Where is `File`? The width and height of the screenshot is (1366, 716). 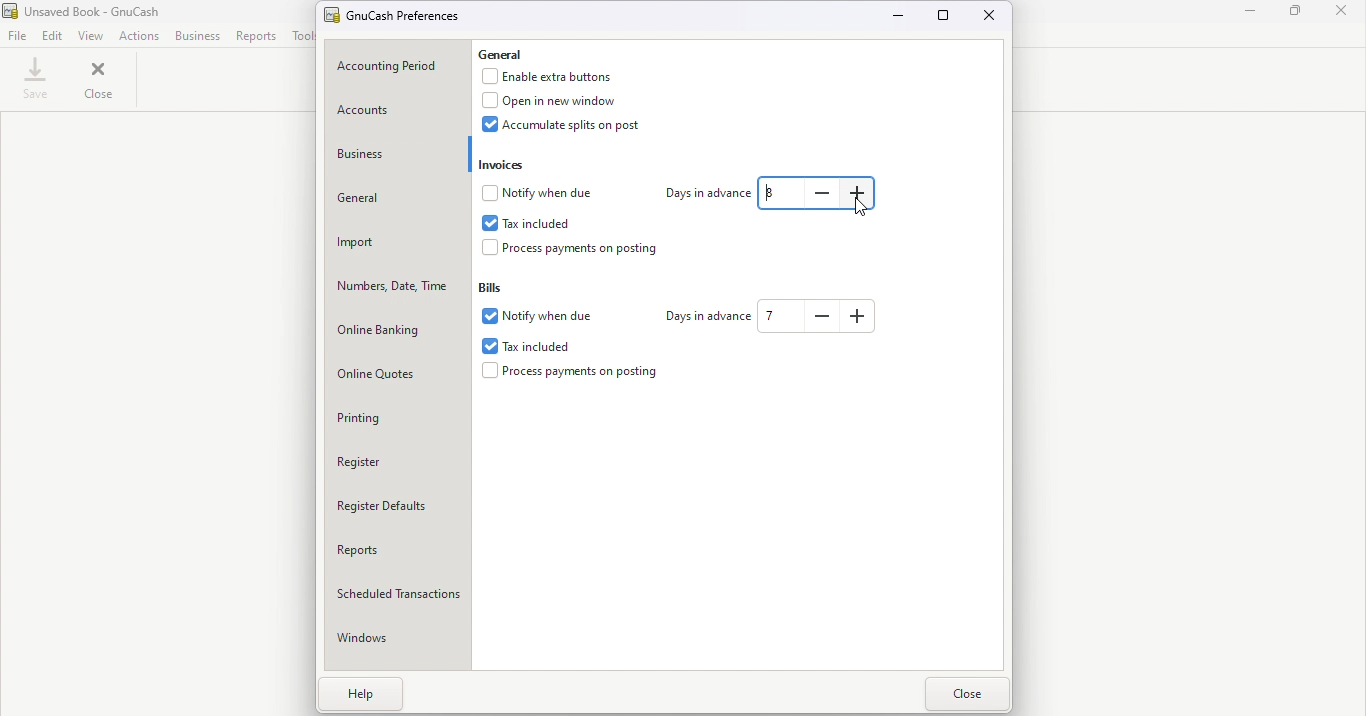 File is located at coordinates (17, 36).